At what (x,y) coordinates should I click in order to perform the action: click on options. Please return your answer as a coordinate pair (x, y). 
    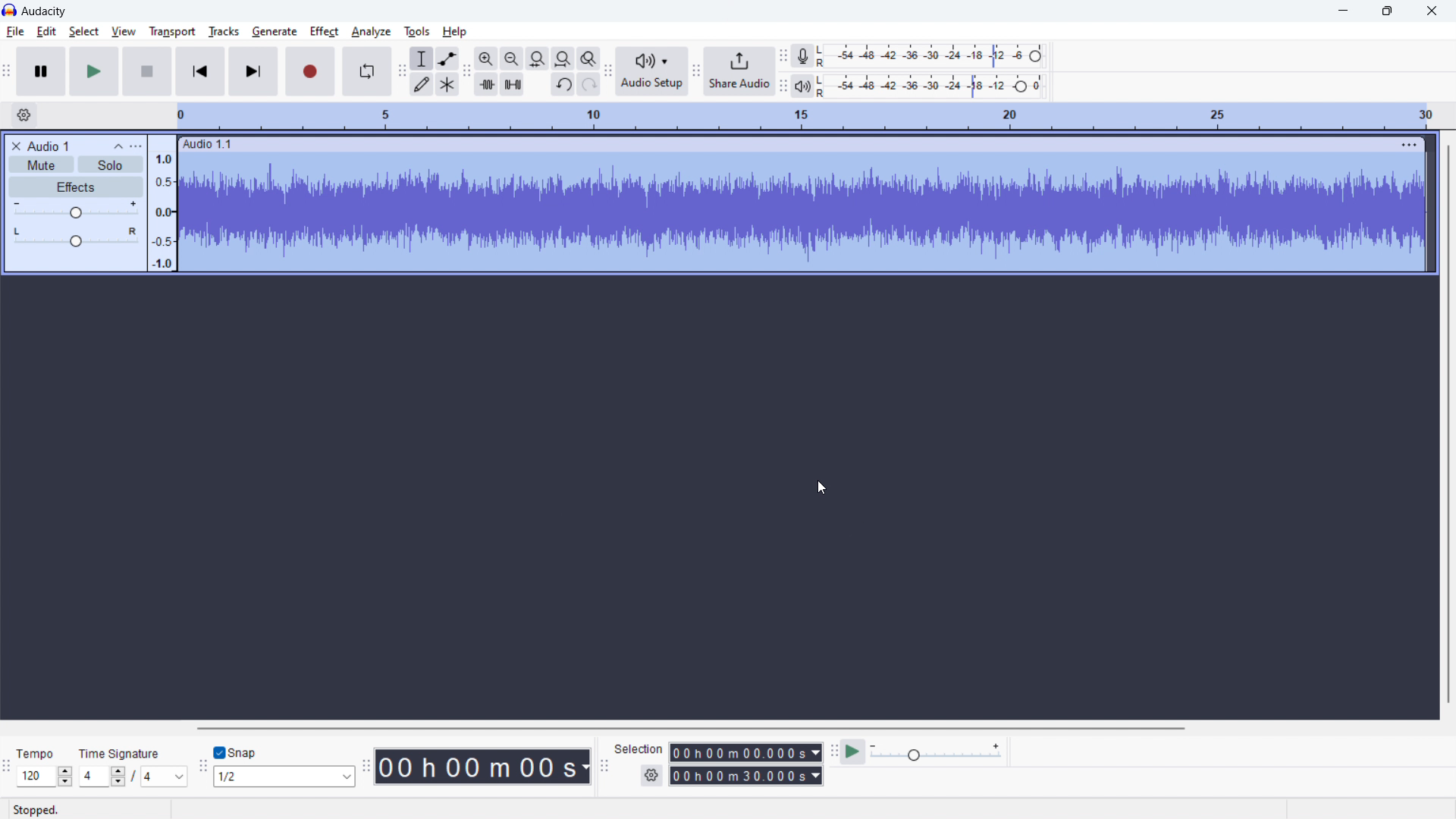
    Looking at the image, I should click on (135, 146).